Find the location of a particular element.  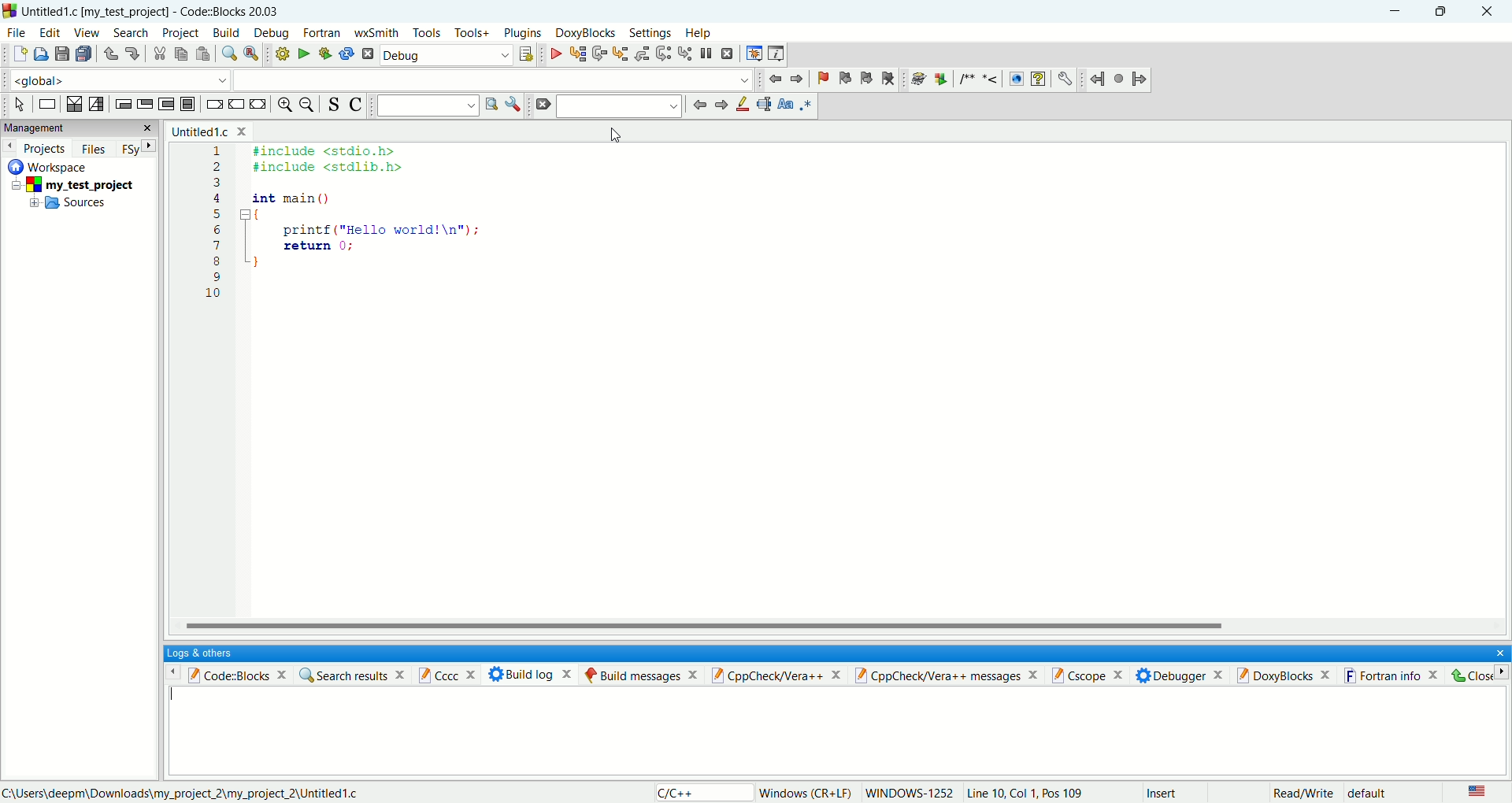

cut is located at coordinates (156, 54).